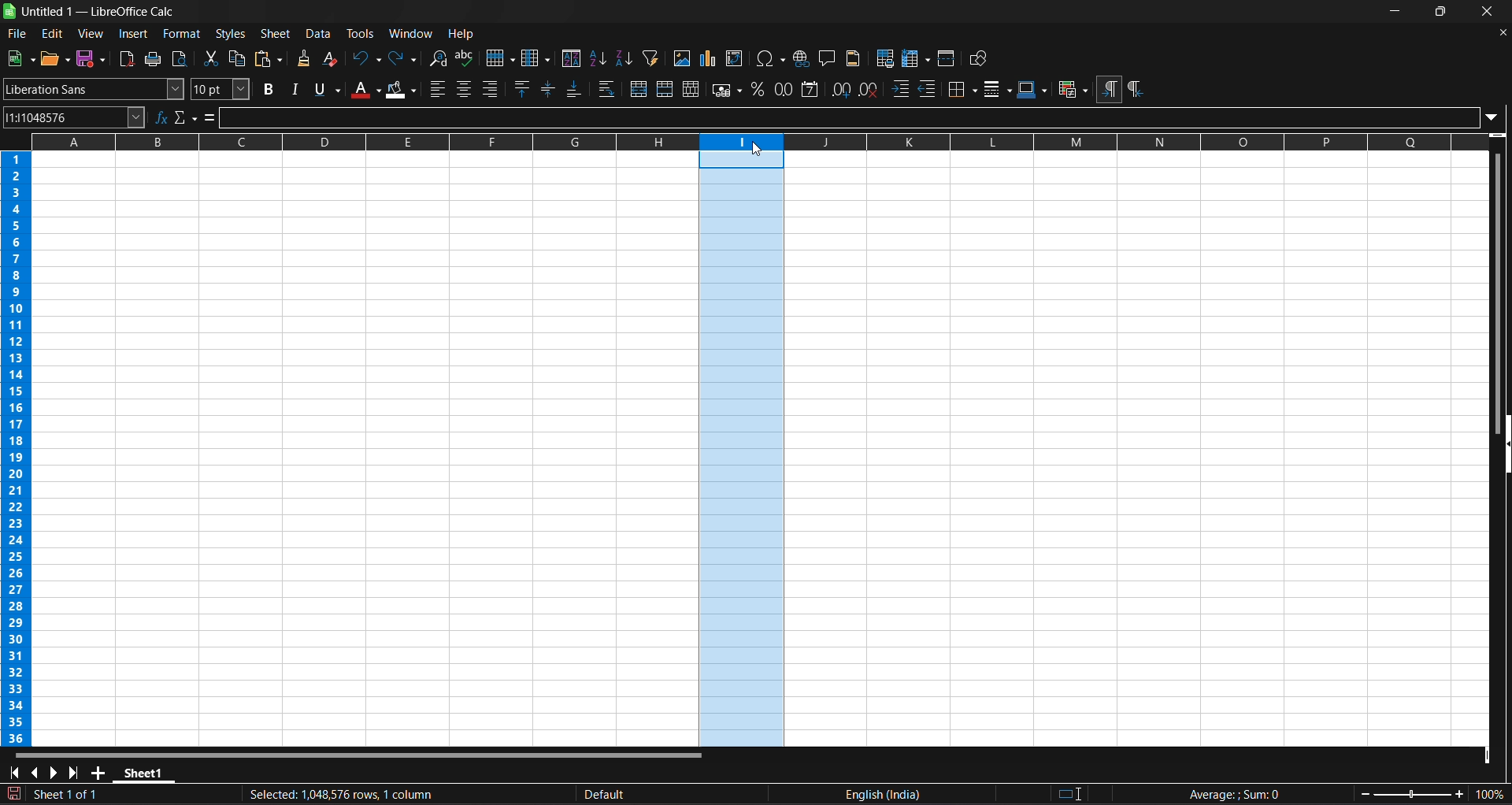  Describe the element at coordinates (803, 58) in the screenshot. I see `insert hyperlink` at that location.